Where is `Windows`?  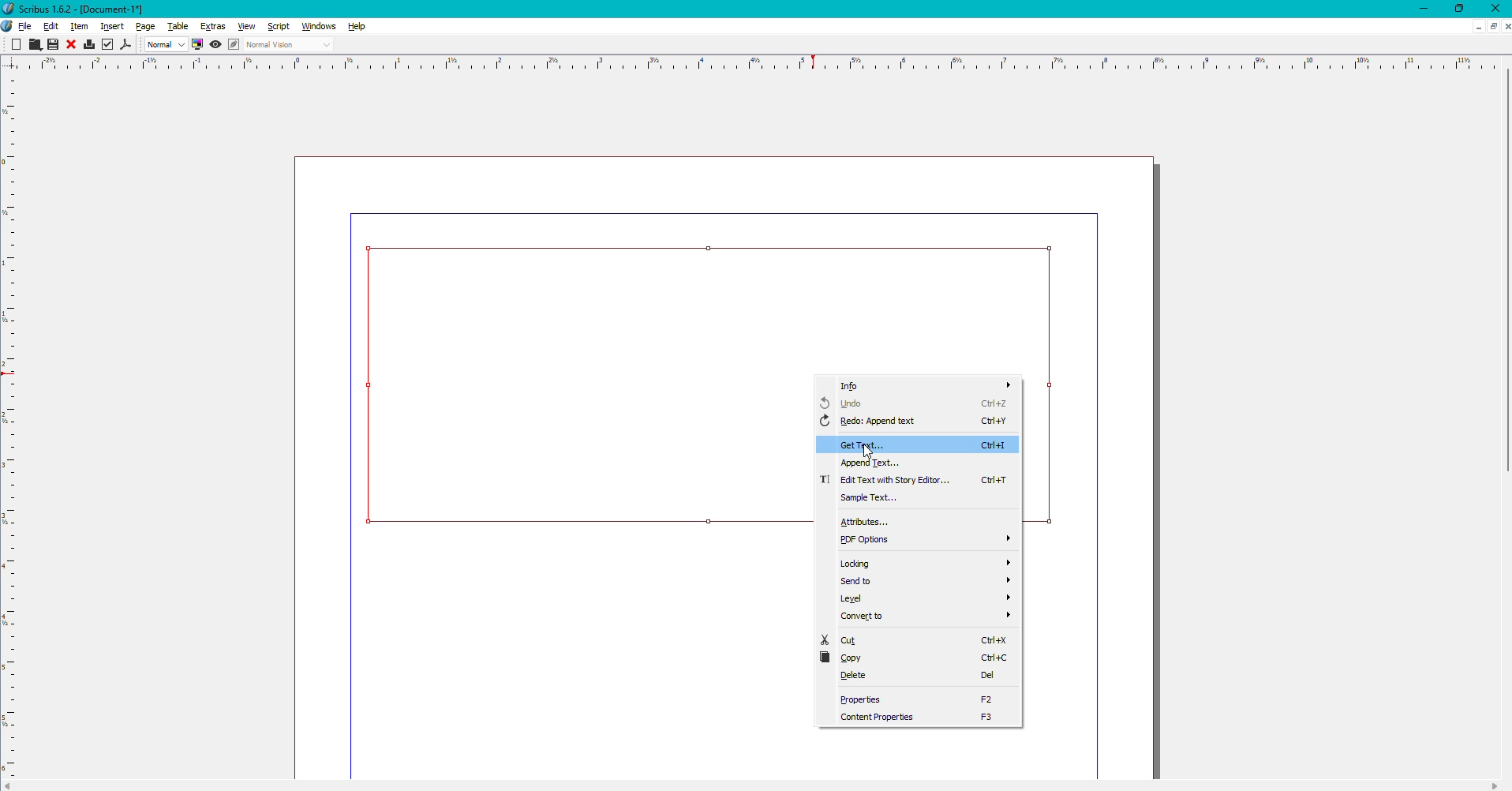 Windows is located at coordinates (317, 27).